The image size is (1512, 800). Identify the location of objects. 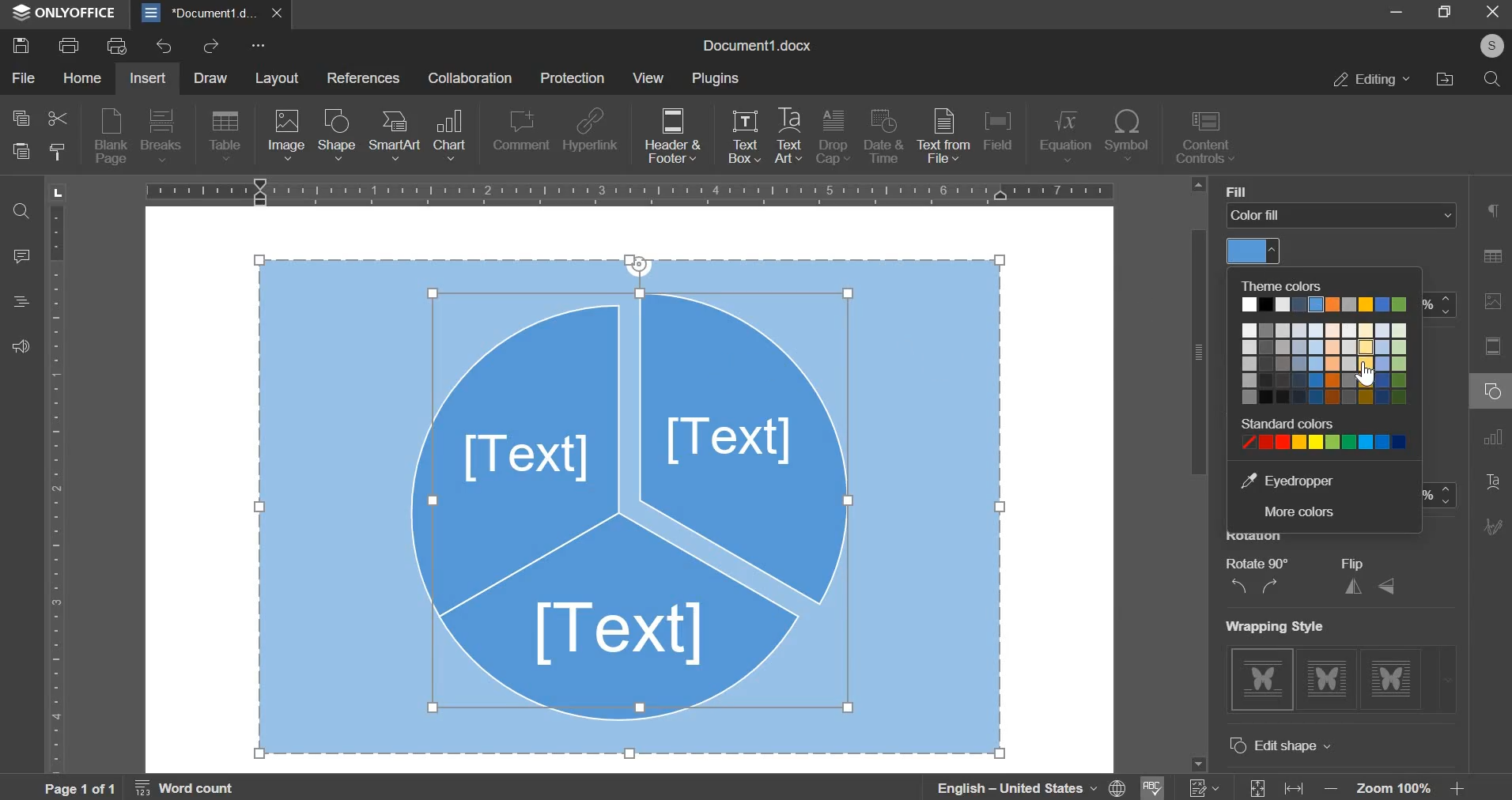
(629, 505).